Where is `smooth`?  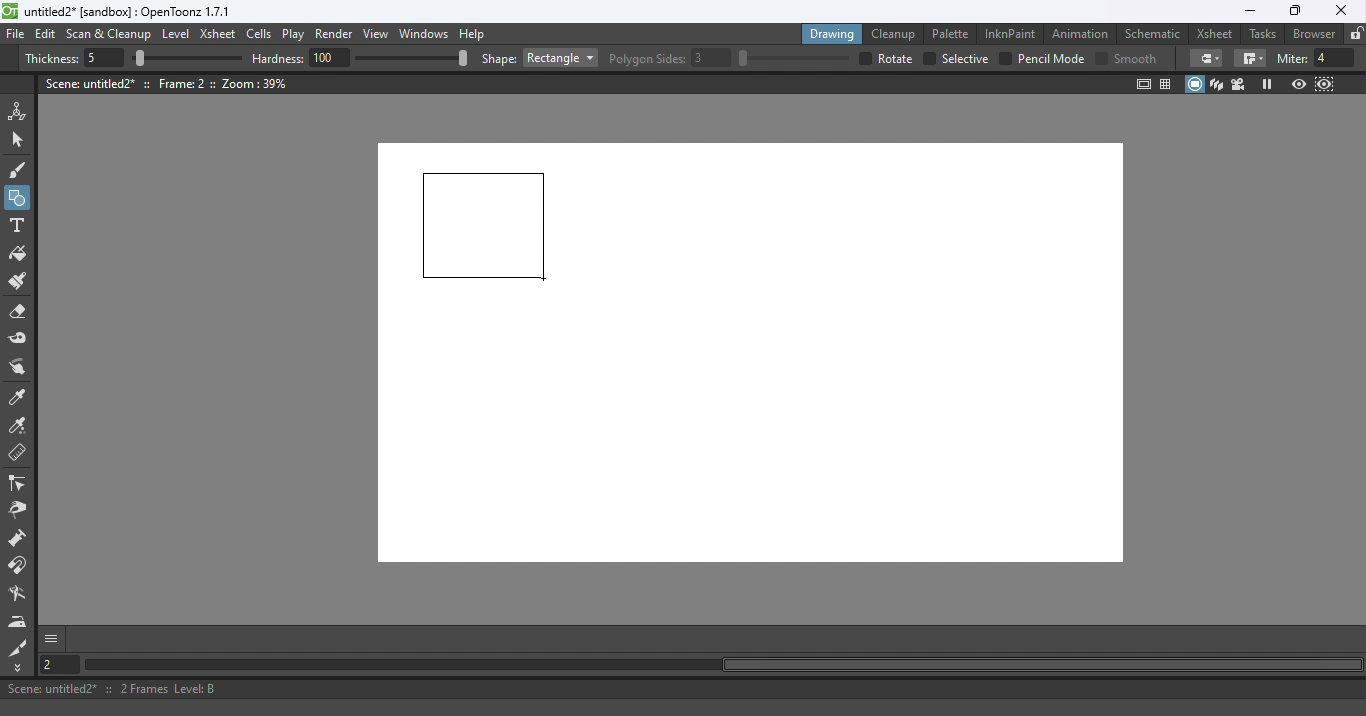
smooth is located at coordinates (1138, 58).